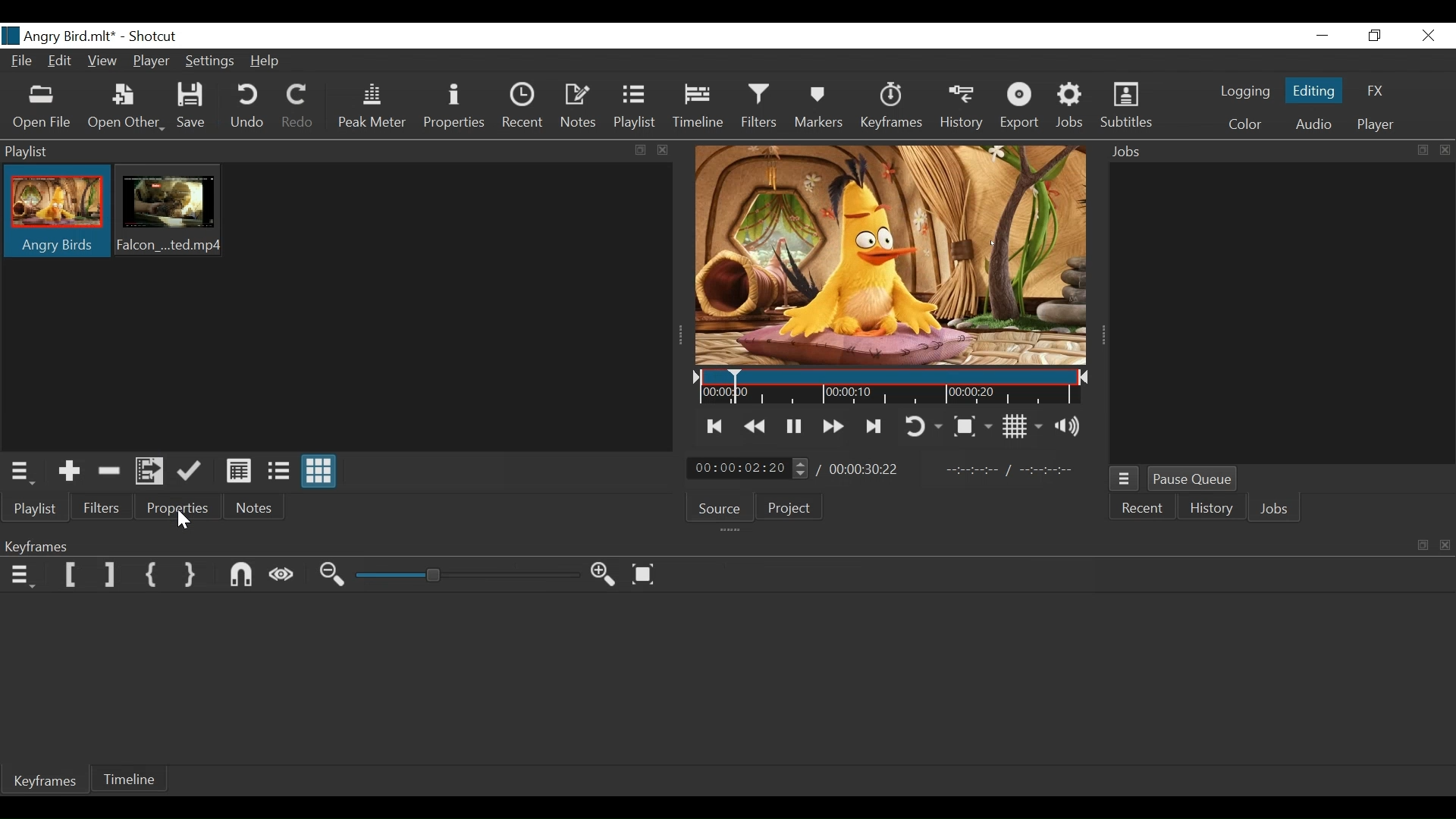 This screenshot has height=819, width=1456. I want to click on Zoom timeline in, so click(604, 574).